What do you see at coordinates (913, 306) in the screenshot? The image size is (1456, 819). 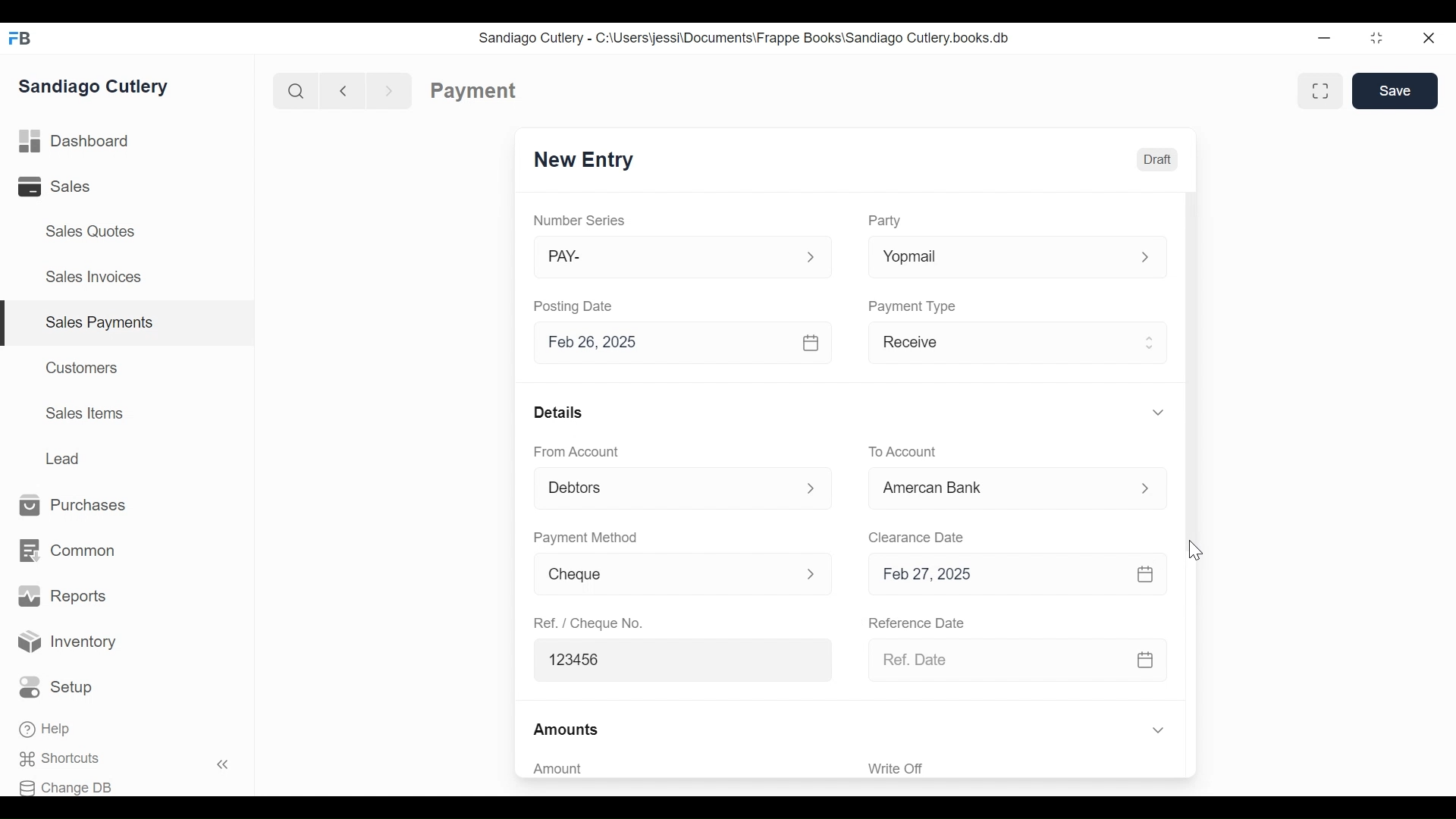 I see `Payment Type` at bounding box center [913, 306].